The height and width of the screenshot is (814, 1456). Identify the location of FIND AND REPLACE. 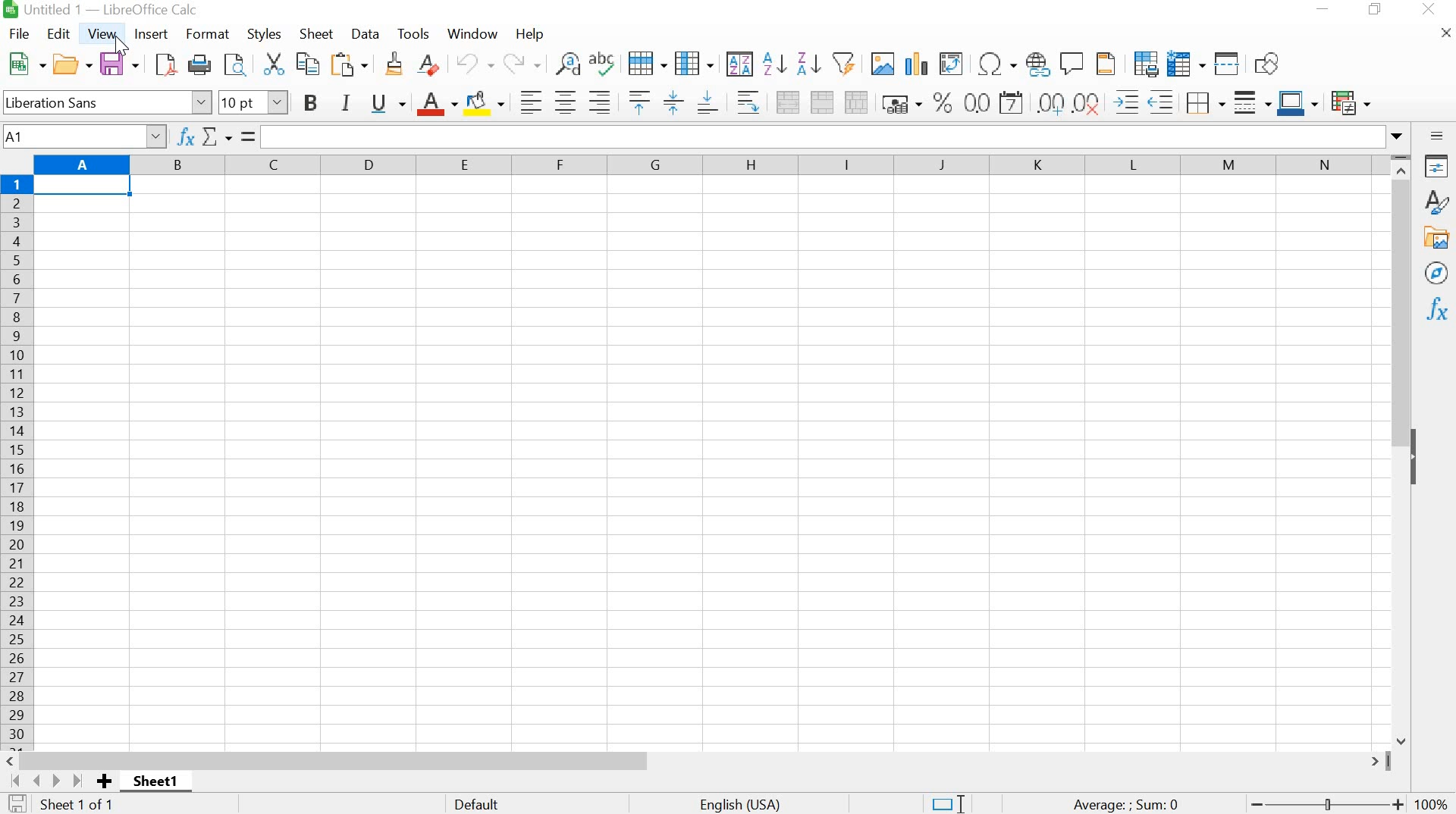
(566, 64).